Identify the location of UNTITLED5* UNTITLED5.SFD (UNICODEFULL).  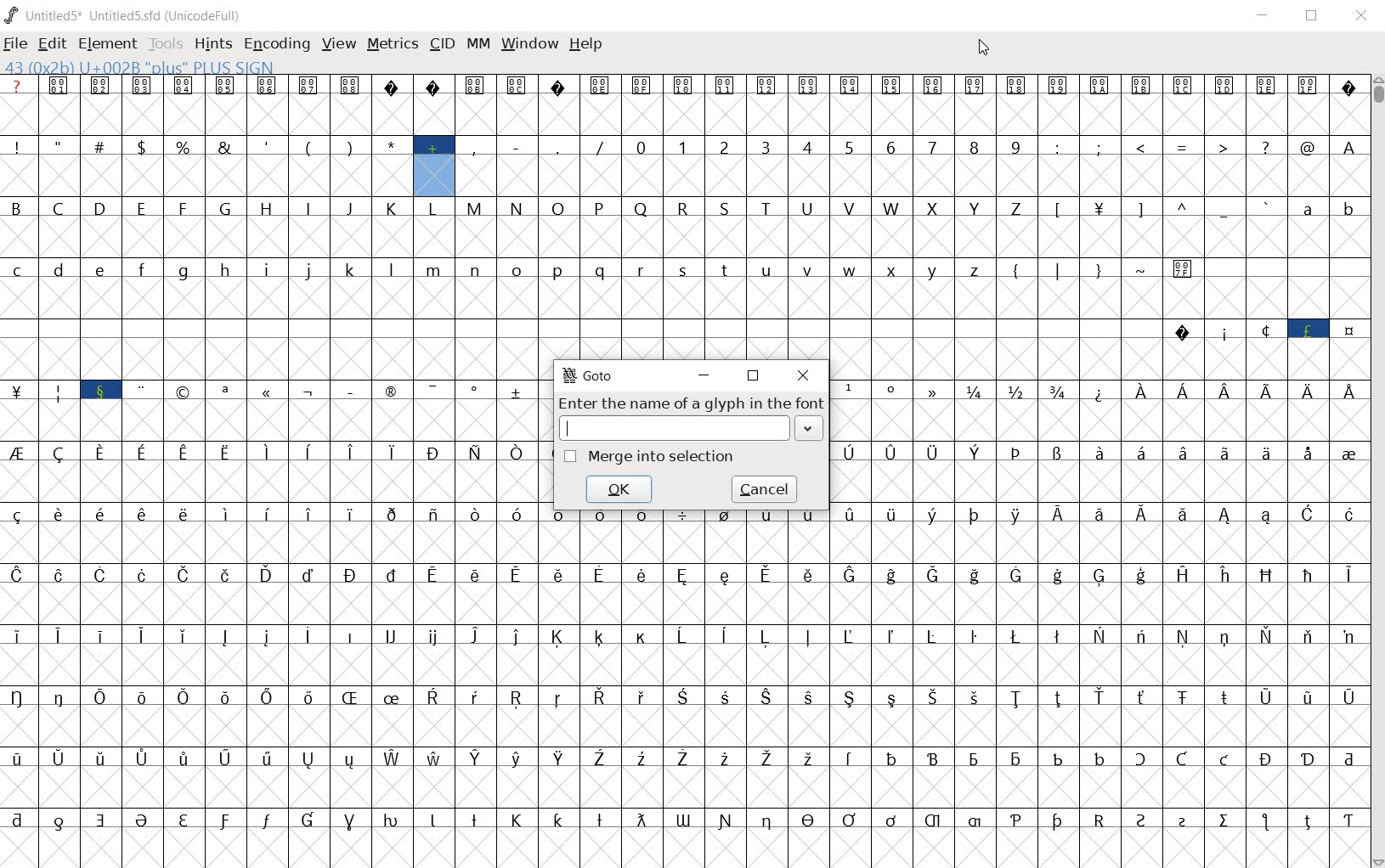
(127, 14).